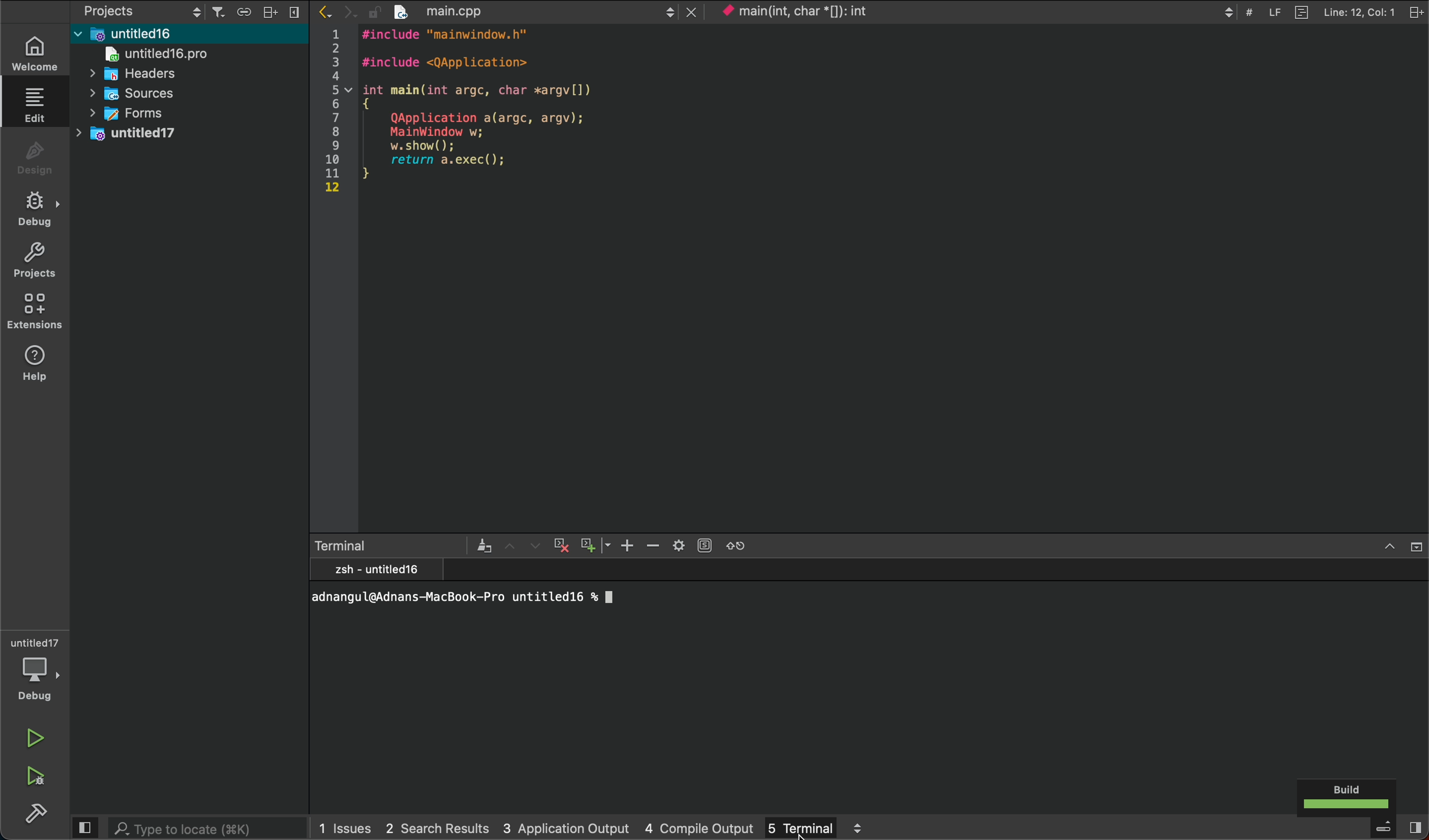  Describe the element at coordinates (521, 11) in the screenshot. I see `main.cpp` at that location.